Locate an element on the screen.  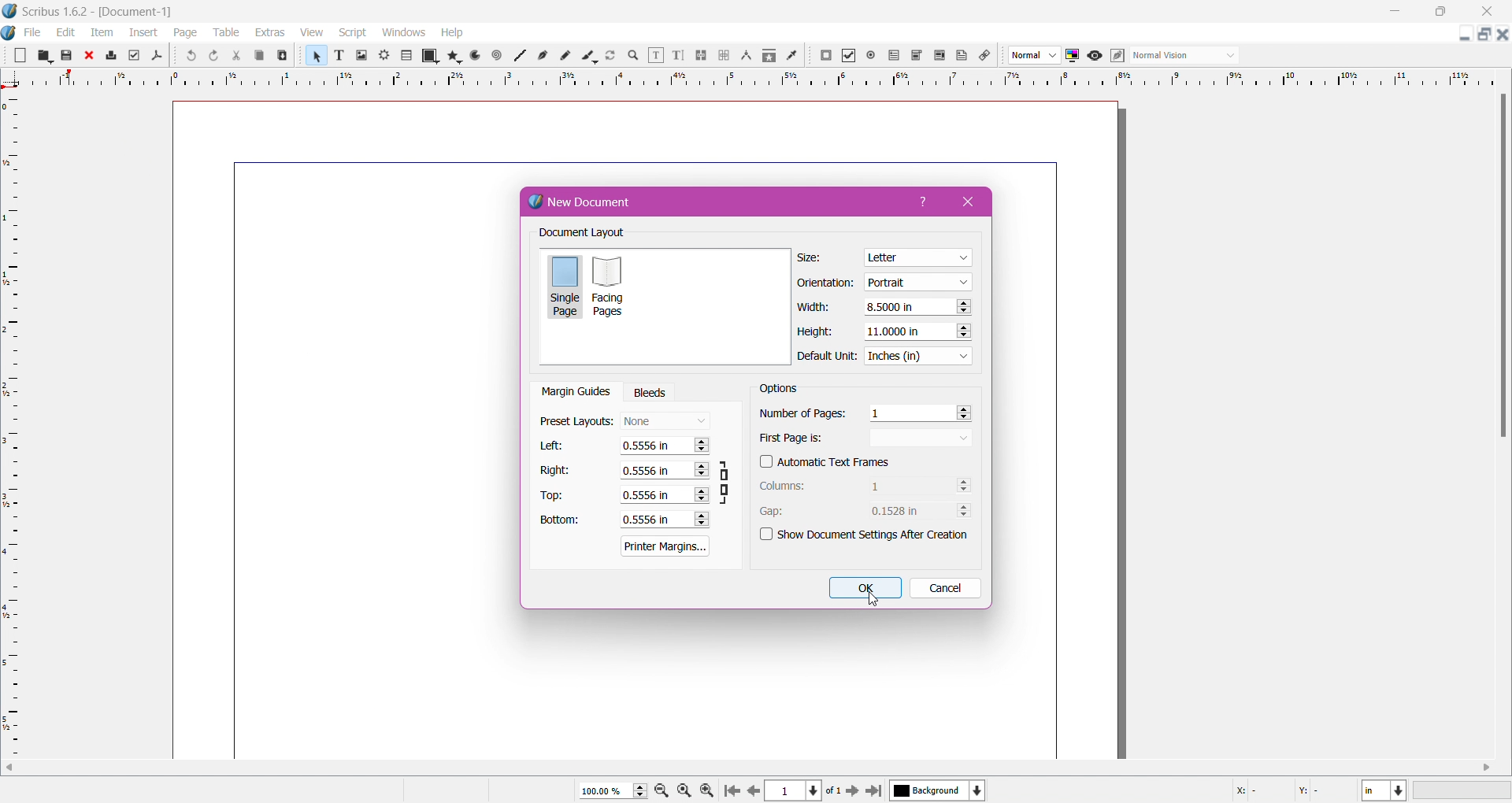
icon is located at coordinates (847, 56).